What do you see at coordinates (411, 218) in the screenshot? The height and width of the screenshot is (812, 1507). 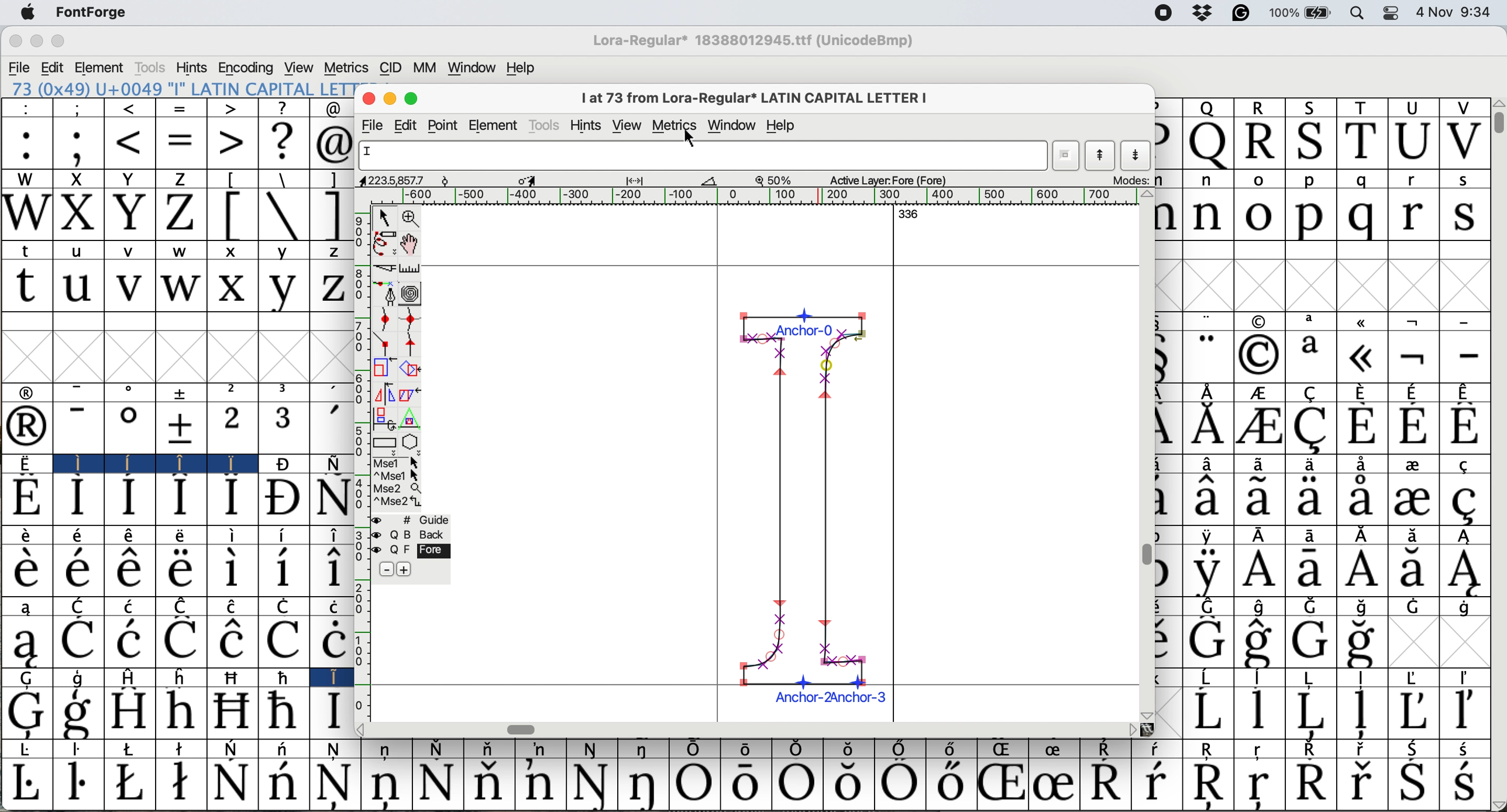 I see `zoom in` at bounding box center [411, 218].